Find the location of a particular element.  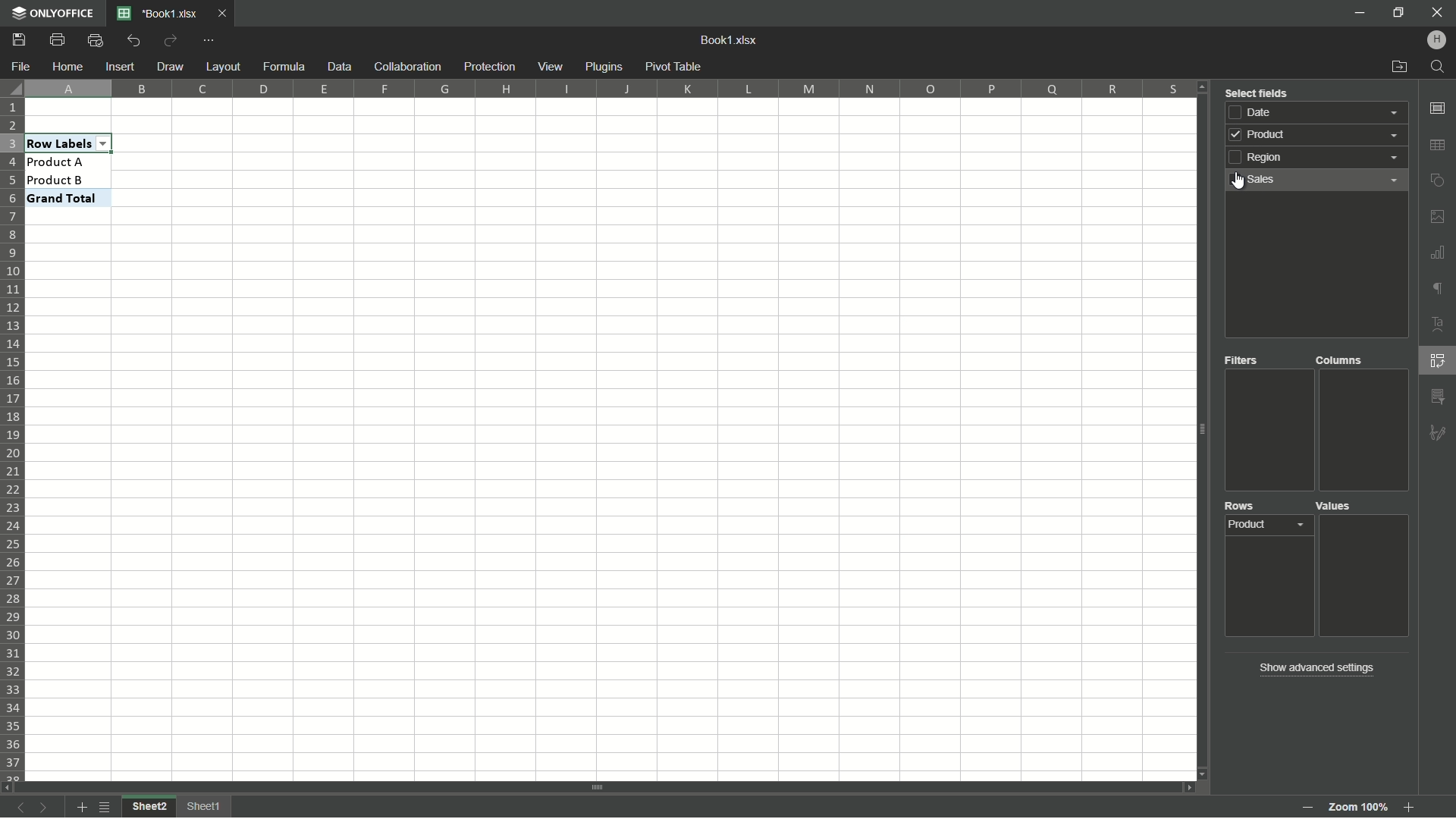

insert pivot table is located at coordinates (1439, 362).